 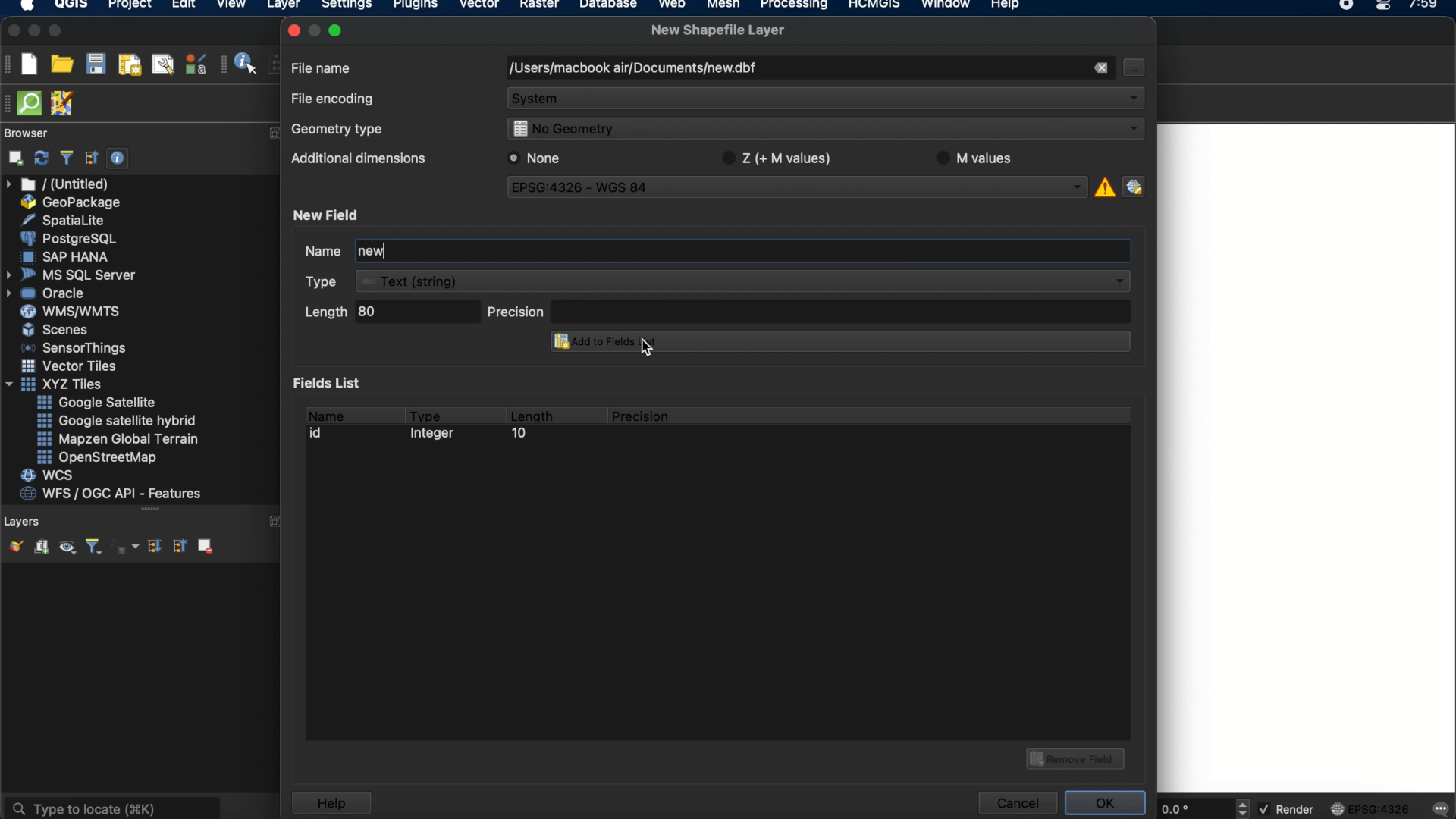 I want to click on workspace, so click(x=1307, y=457).